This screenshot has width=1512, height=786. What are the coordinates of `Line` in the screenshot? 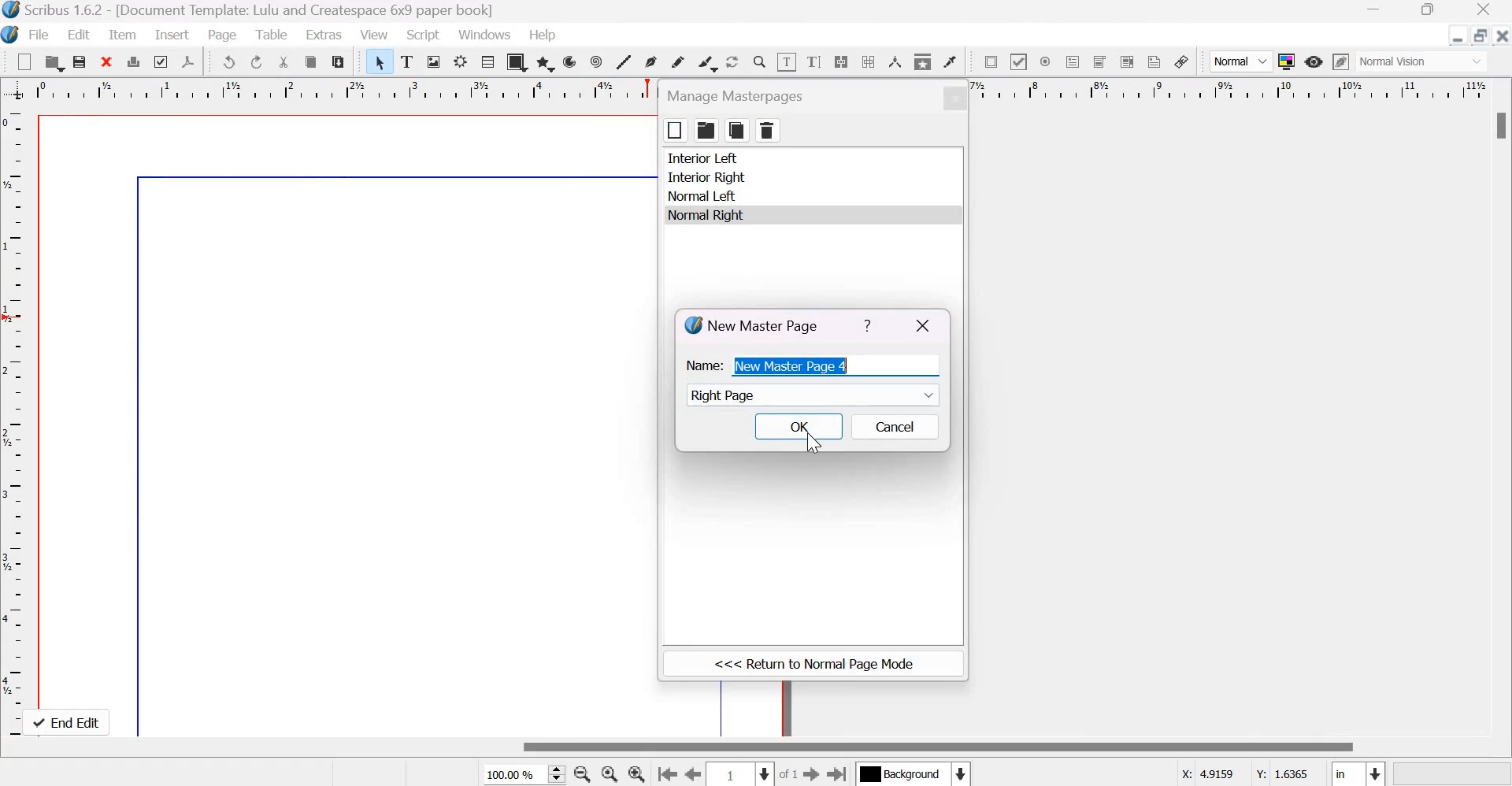 It's located at (624, 63).